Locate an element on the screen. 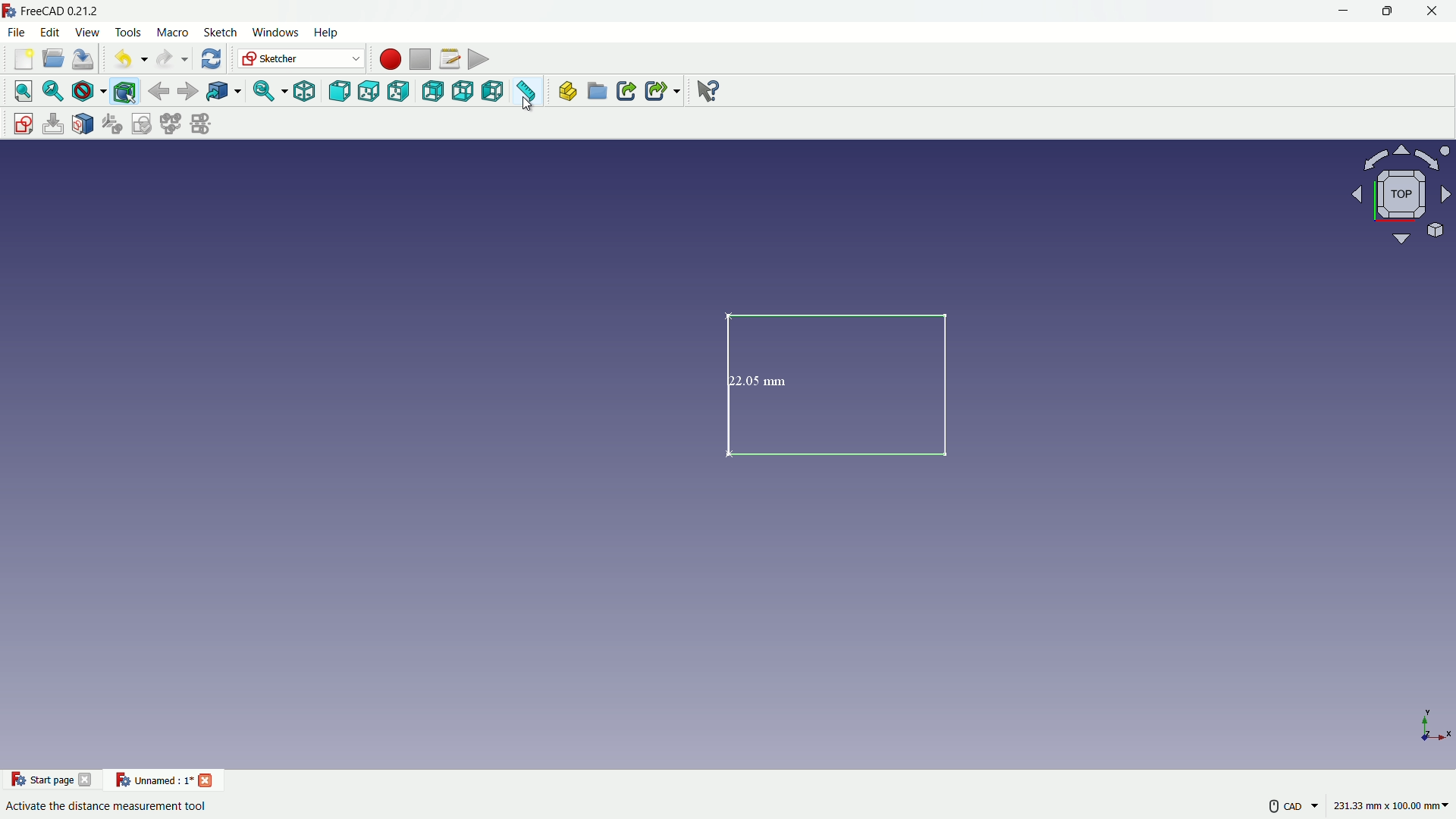  redo is located at coordinates (170, 59).